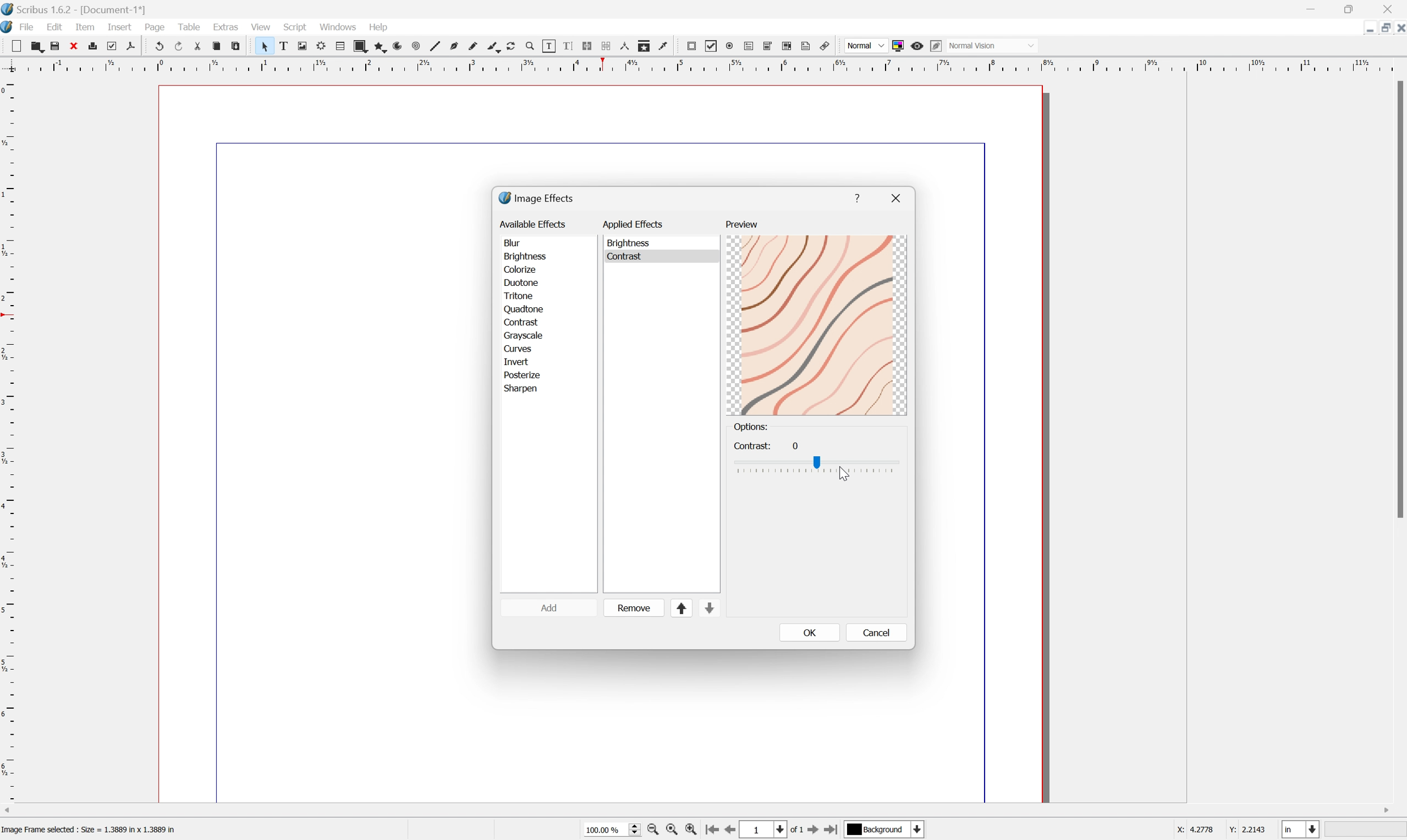  I want to click on PDF List Box, so click(789, 46).